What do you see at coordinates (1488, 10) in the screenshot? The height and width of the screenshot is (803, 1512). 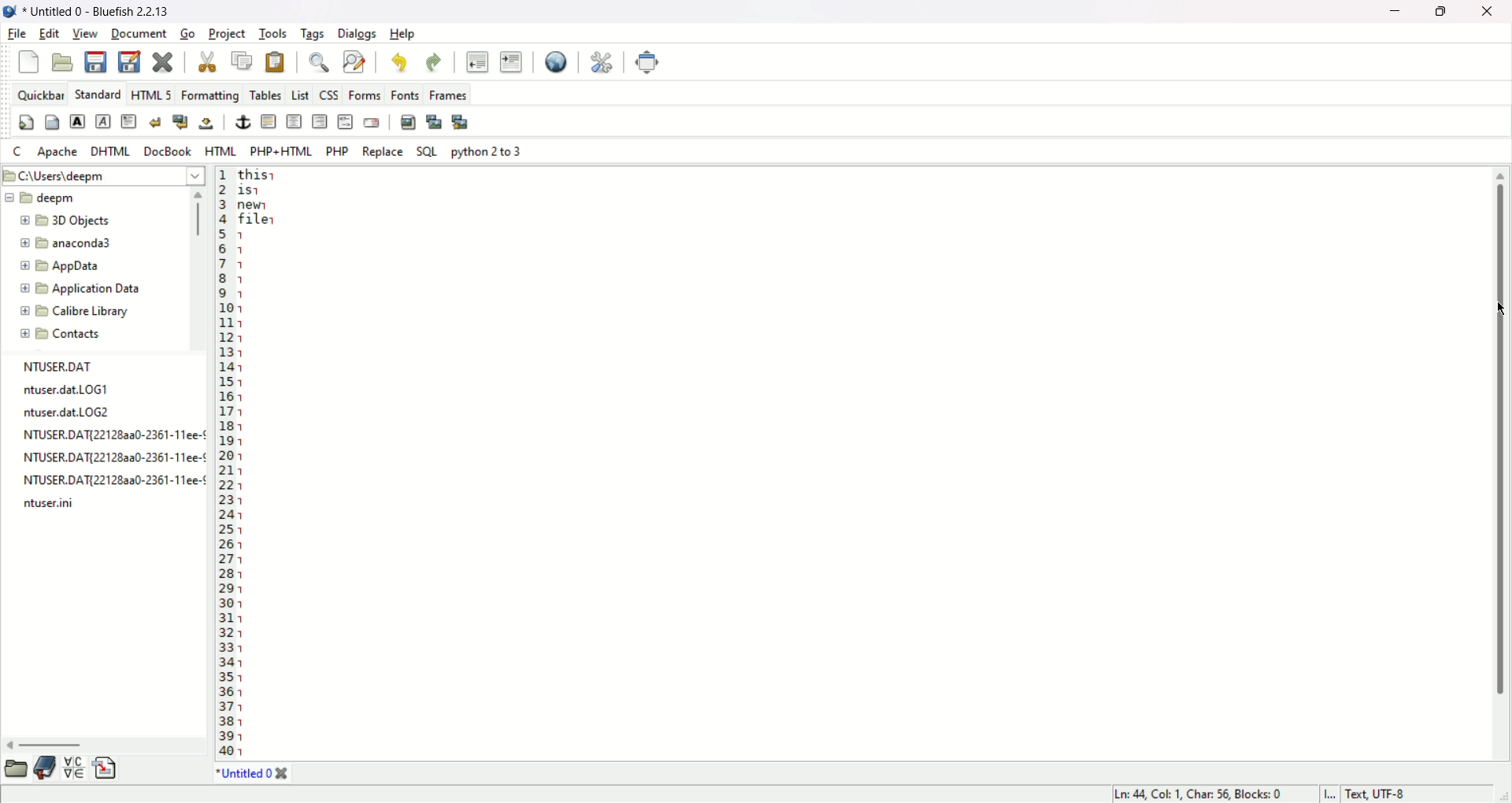 I see `close` at bounding box center [1488, 10].